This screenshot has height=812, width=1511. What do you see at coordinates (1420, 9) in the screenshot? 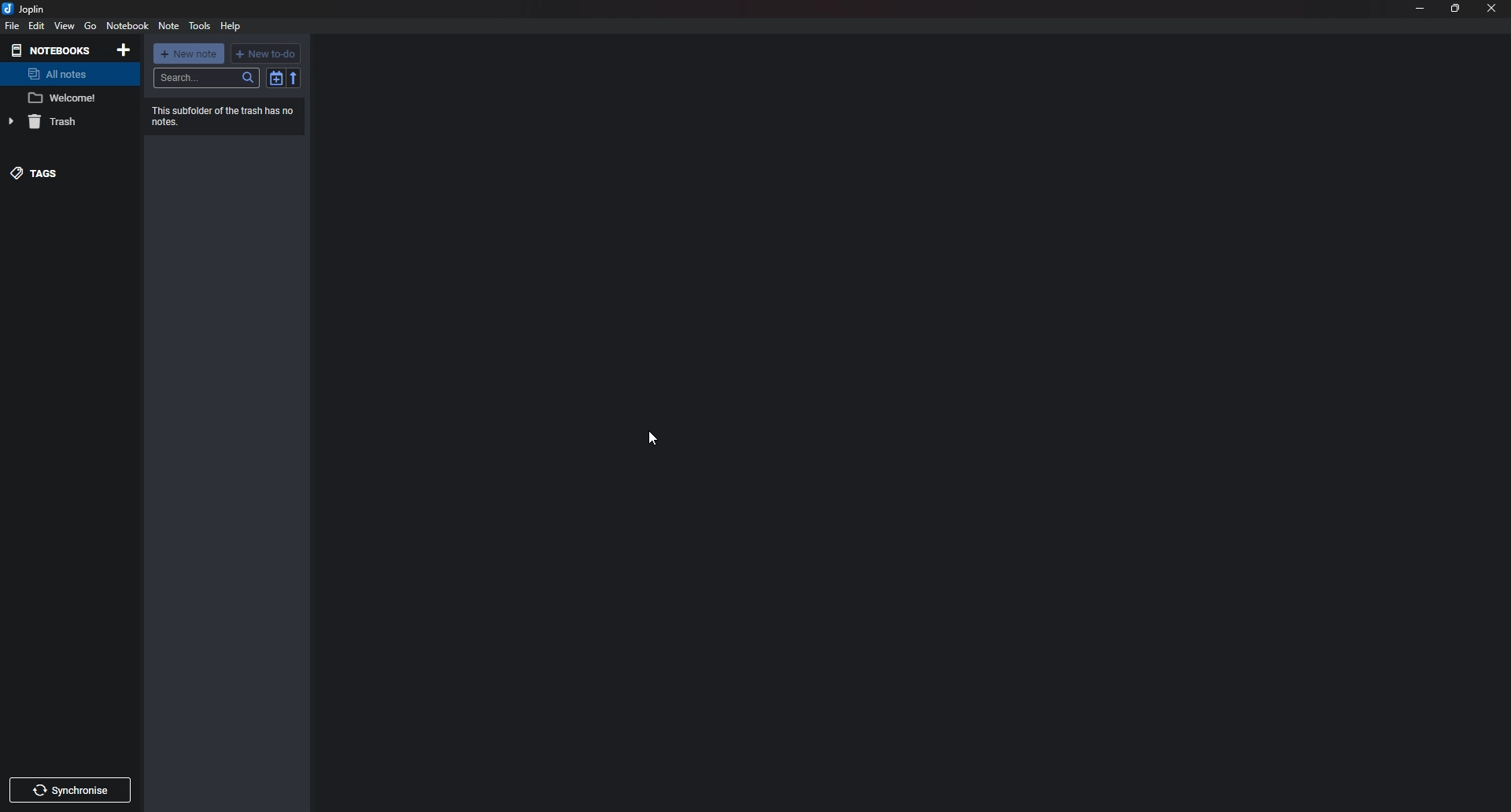
I see `minimize` at bounding box center [1420, 9].